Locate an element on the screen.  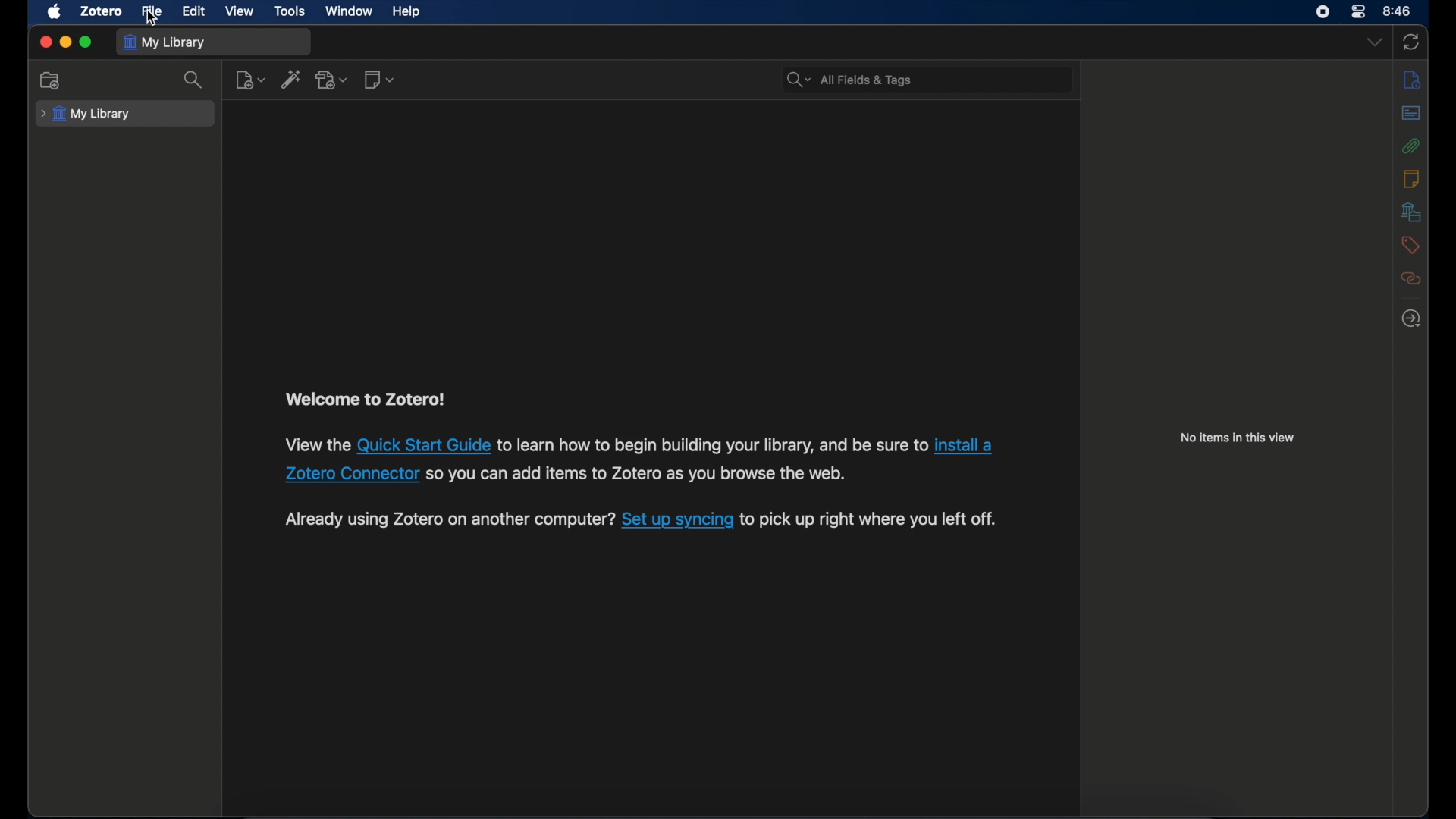
tags is located at coordinates (1411, 245).